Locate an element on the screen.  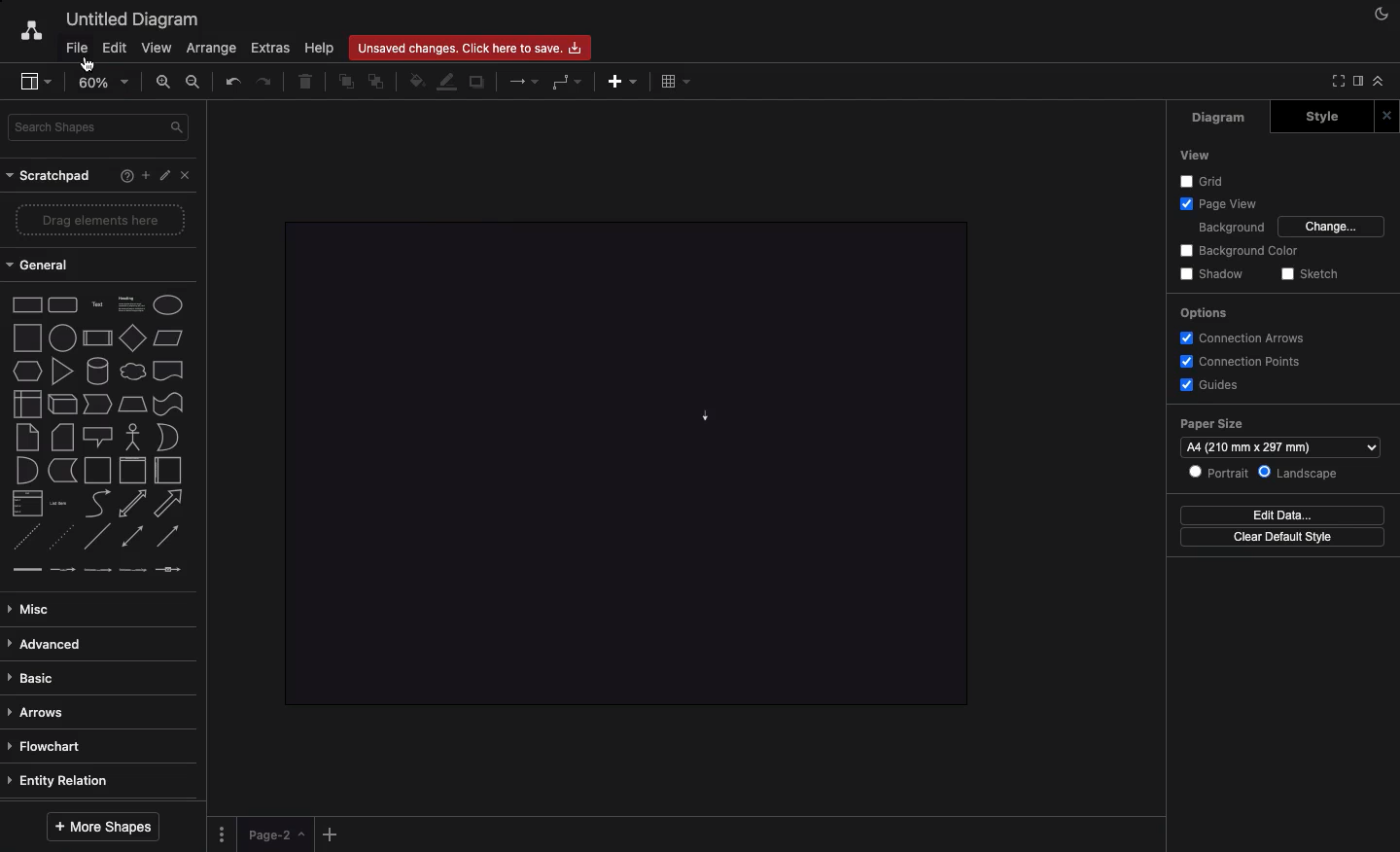
View  is located at coordinates (1194, 156).